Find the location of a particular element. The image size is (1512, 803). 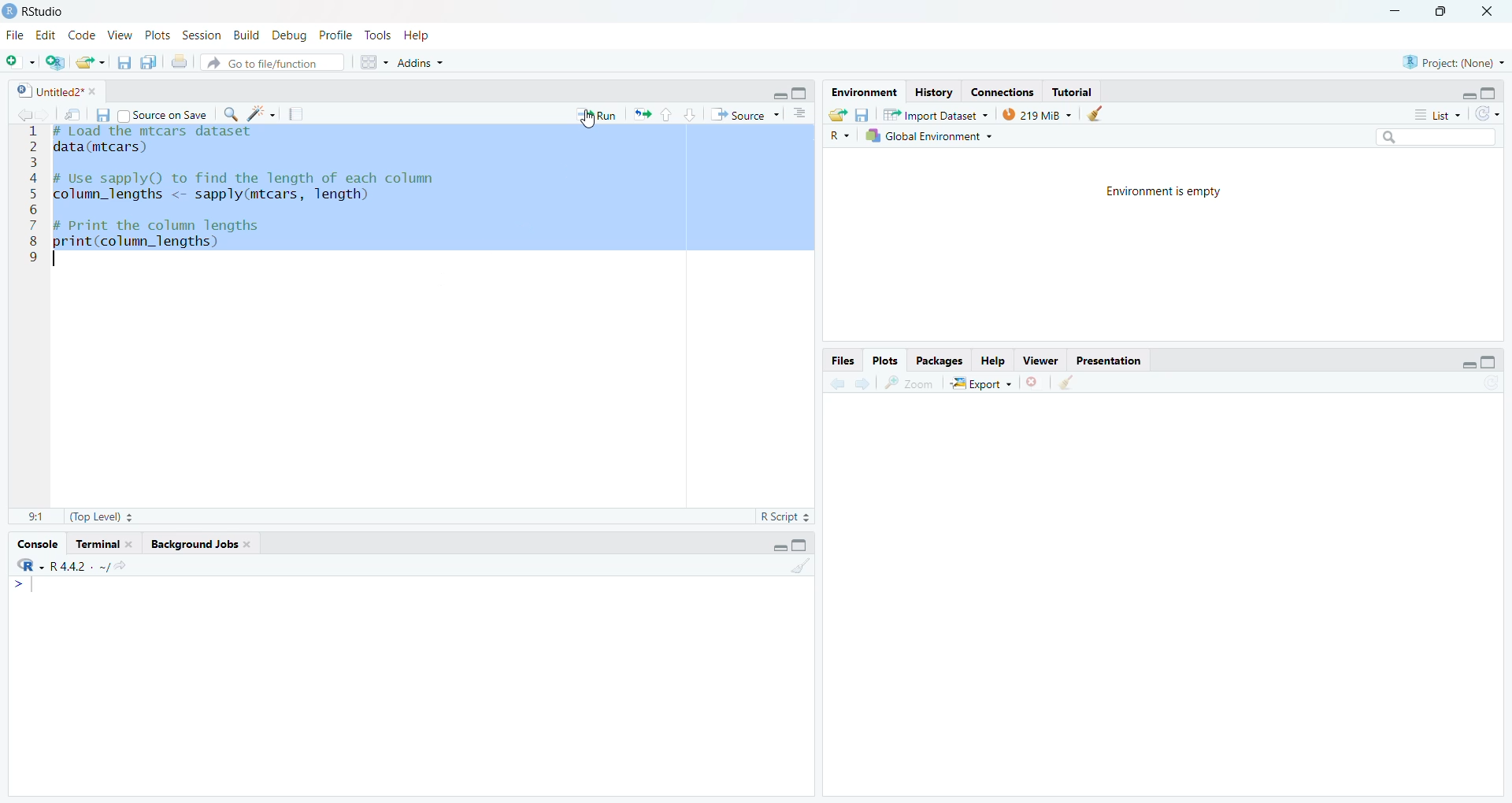

Code Editor is located at coordinates (428, 316).